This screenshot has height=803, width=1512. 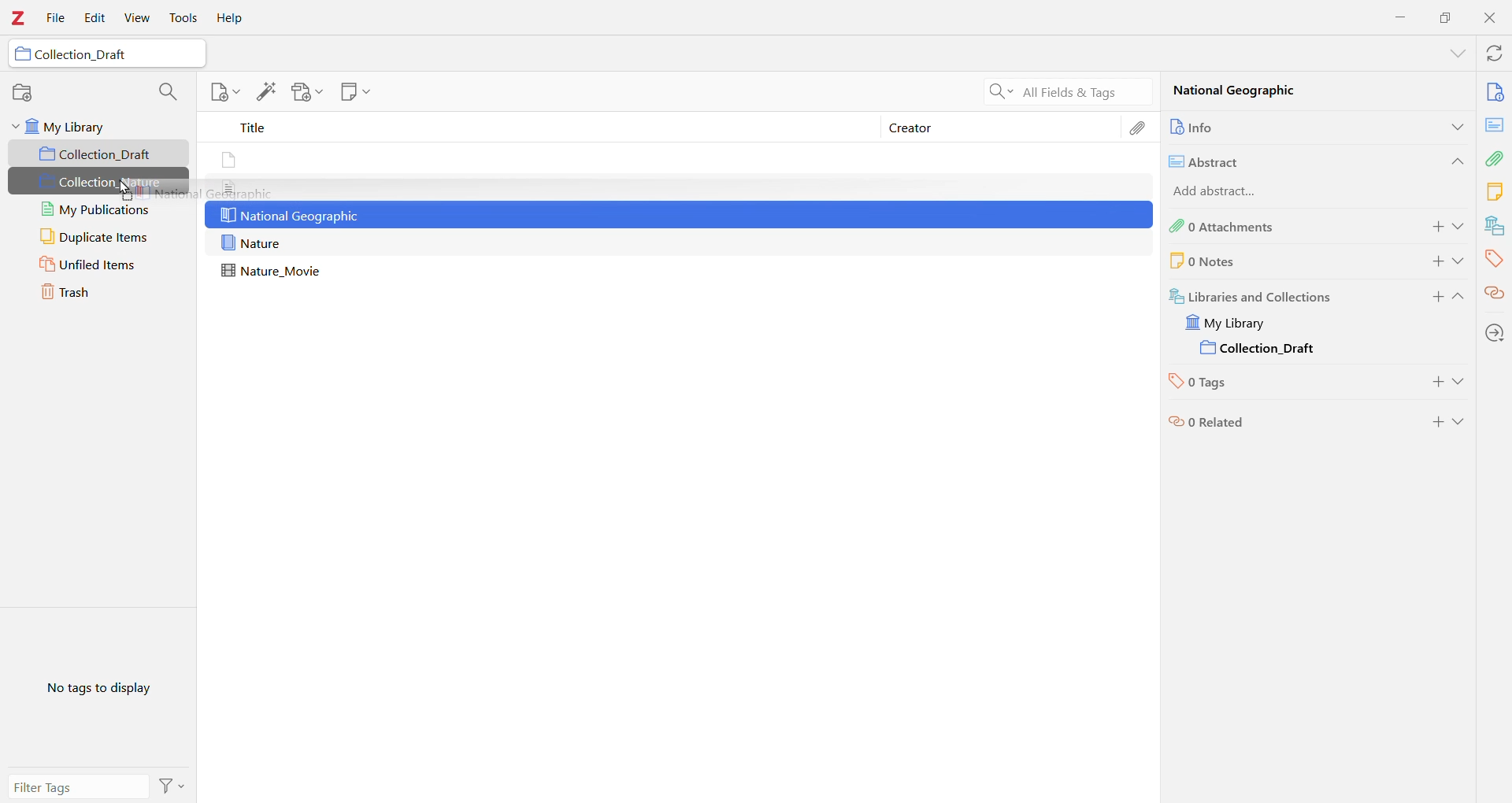 What do you see at coordinates (1461, 385) in the screenshot?
I see `Expand Section` at bounding box center [1461, 385].